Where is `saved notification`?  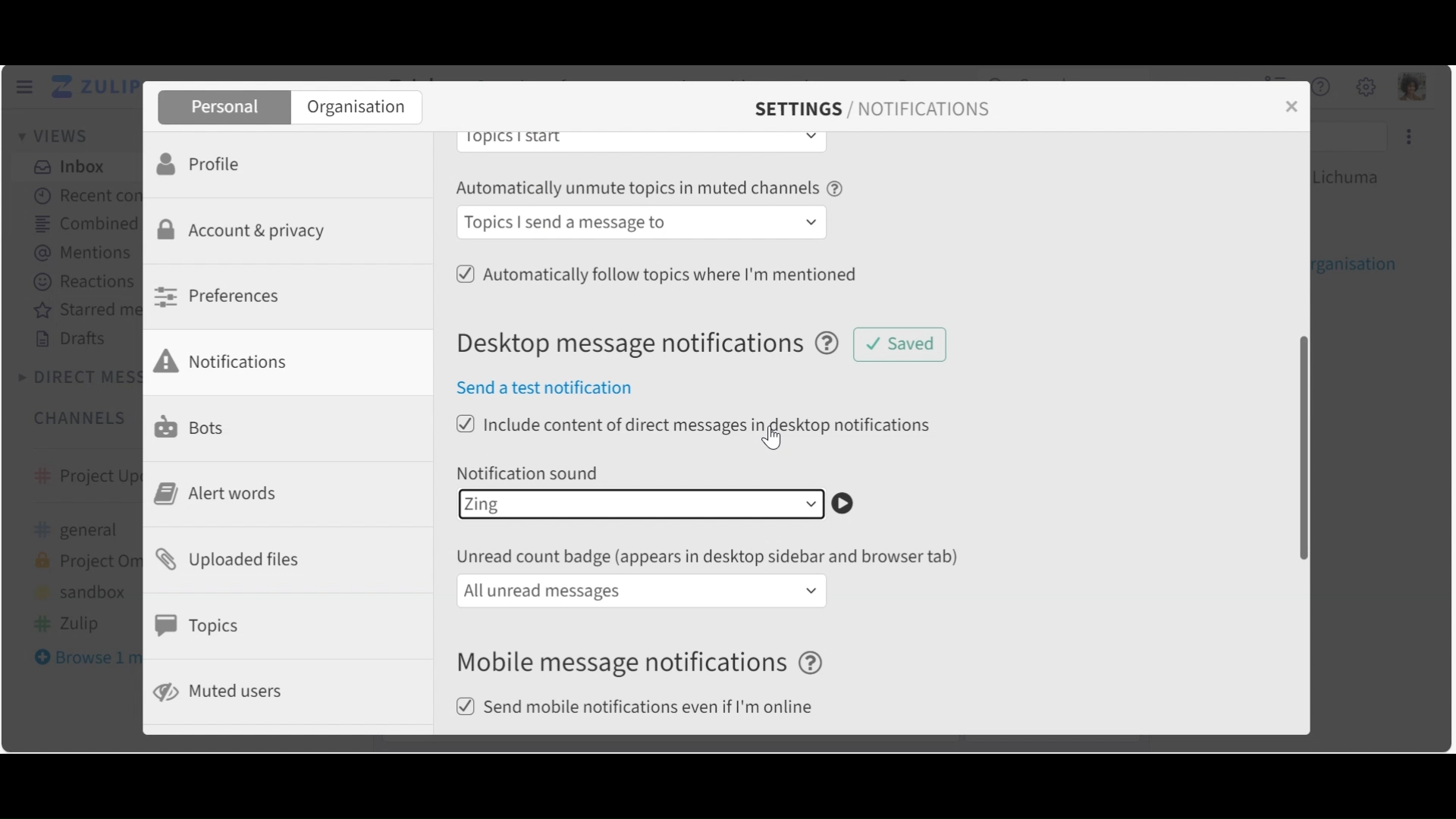
saved notification is located at coordinates (898, 343).